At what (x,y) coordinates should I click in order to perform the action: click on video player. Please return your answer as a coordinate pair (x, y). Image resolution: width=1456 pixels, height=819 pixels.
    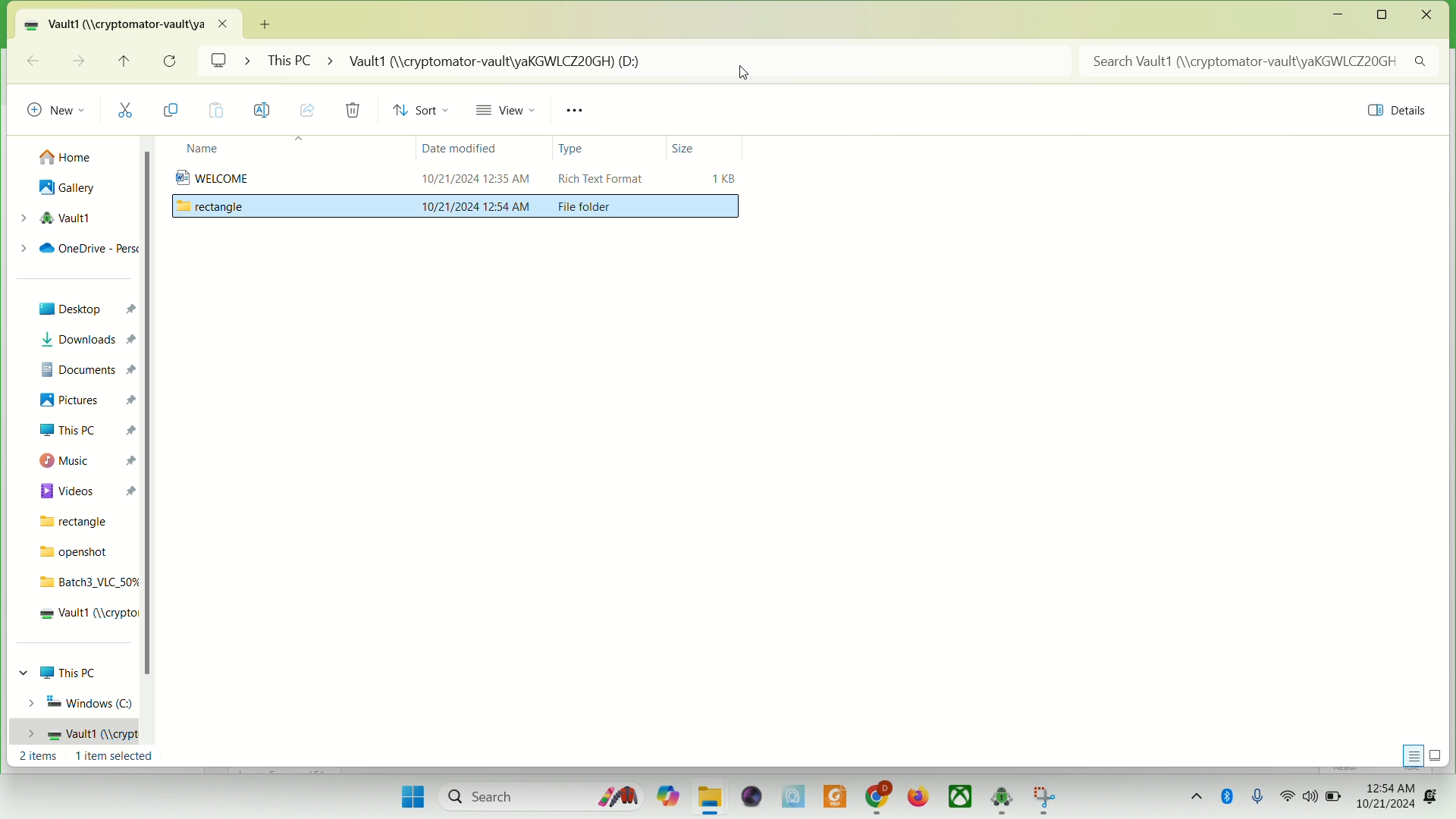
    Looking at the image, I should click on (748, 795).